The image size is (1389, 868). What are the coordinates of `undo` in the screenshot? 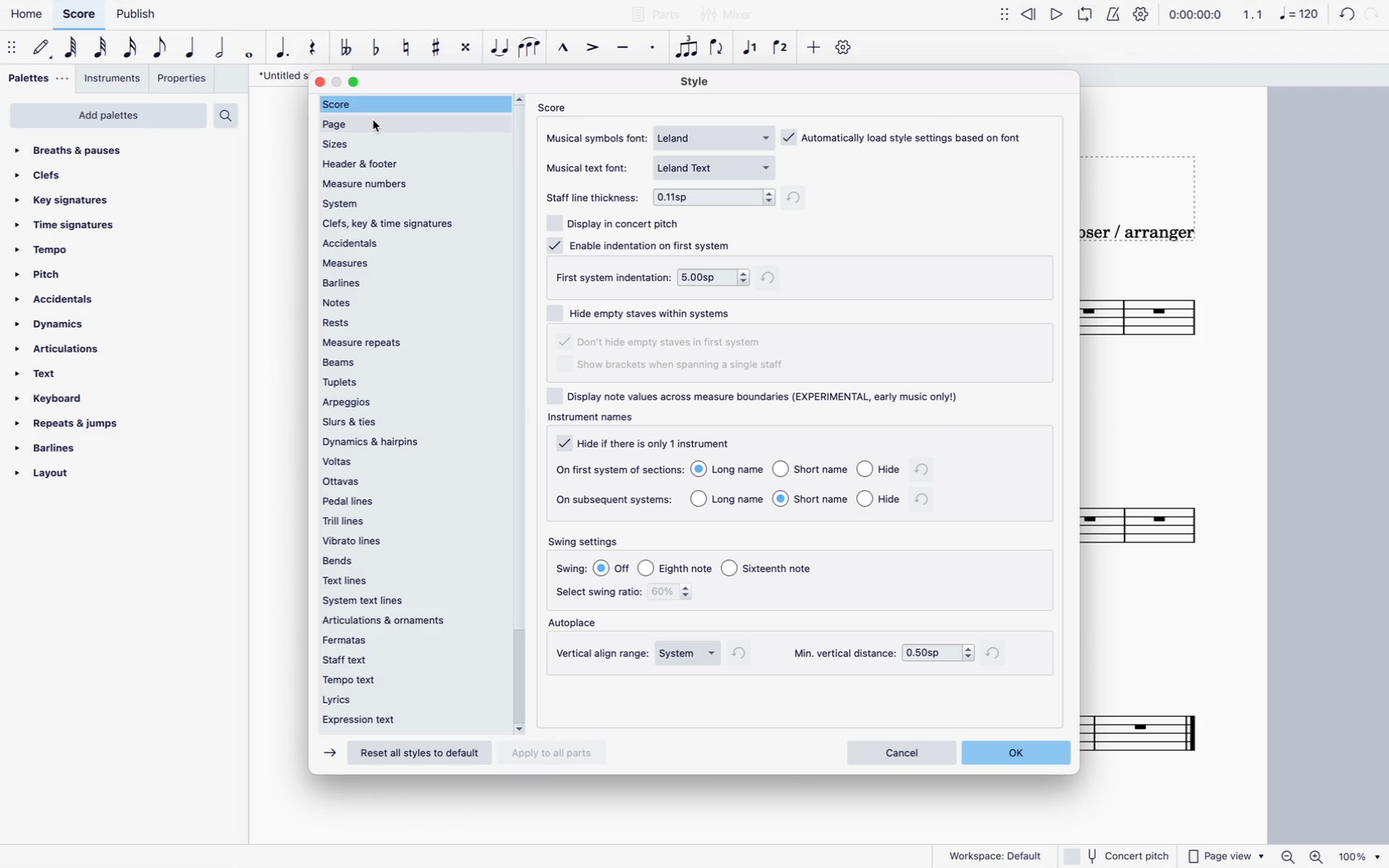 It's located at (1347, 17).